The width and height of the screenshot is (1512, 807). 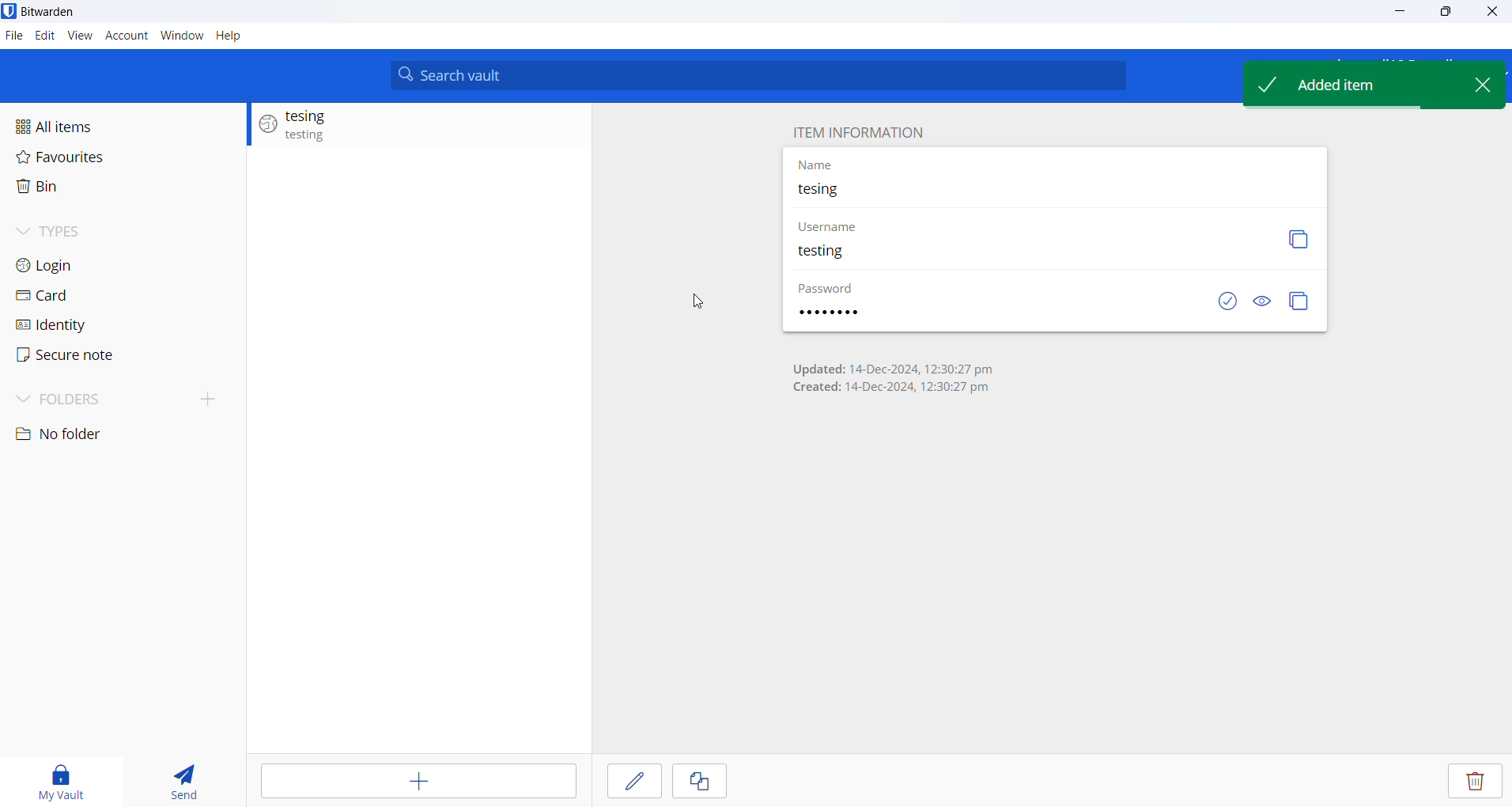 I want to click on edit, so click(x=630, y=784).